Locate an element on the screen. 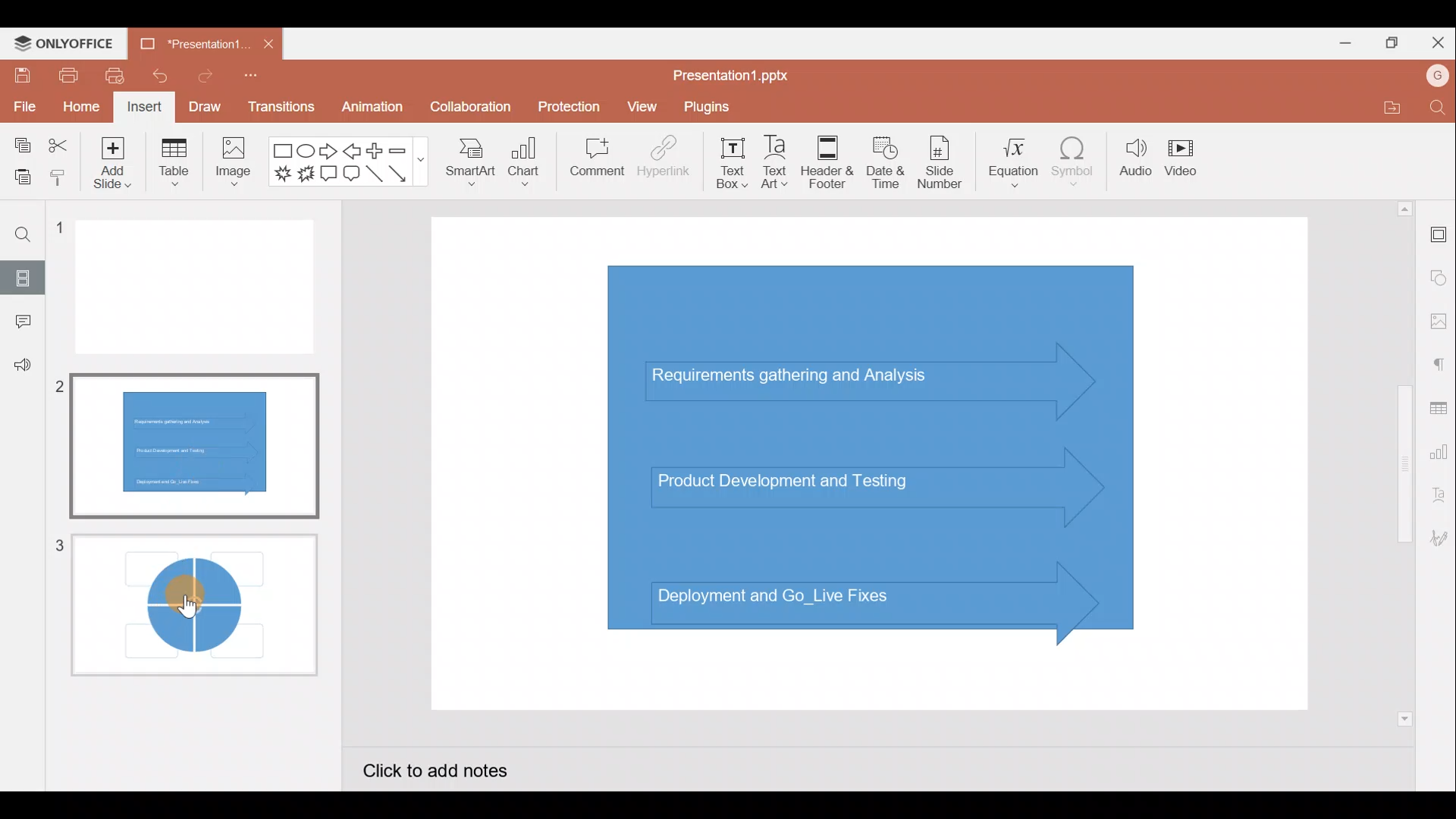 Image resolution: width=1456 pixels, height=819 pixels. Slide 3 is located at coordinates (191, 610).